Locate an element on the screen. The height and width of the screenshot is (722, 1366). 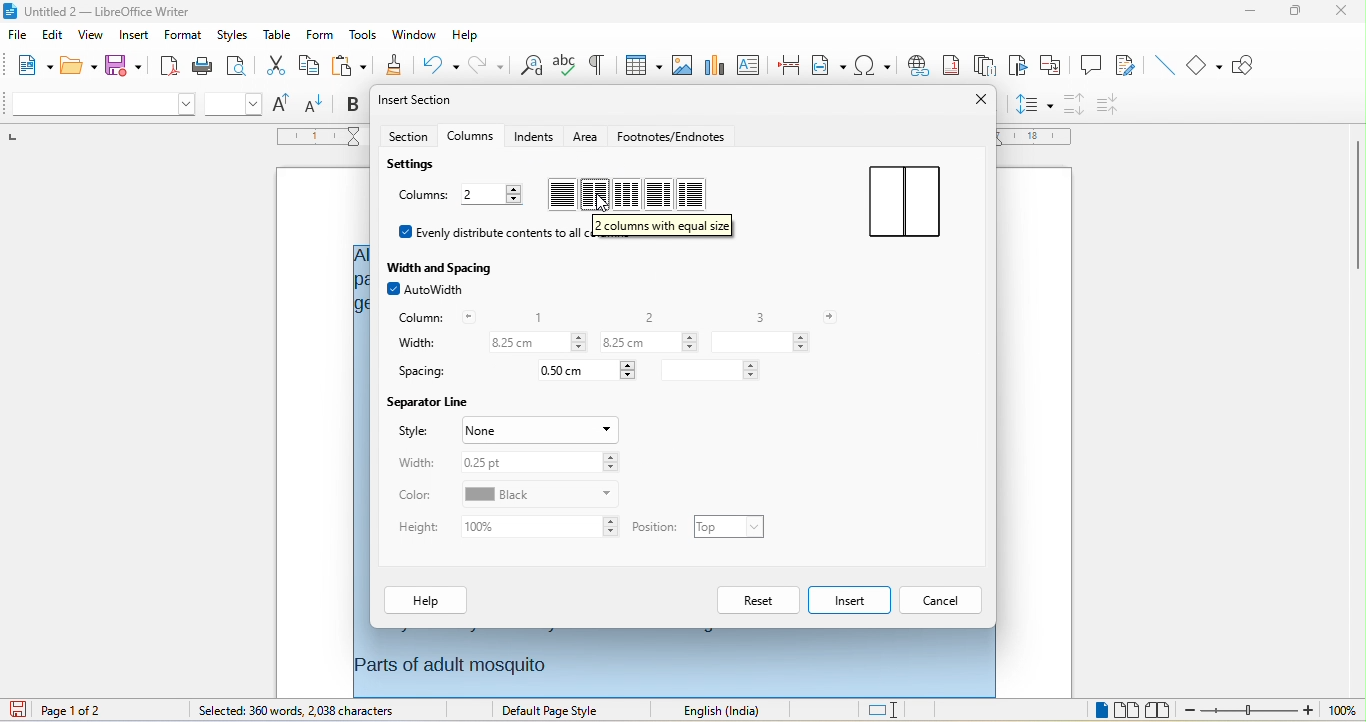
help is located at coordinates (427, 601).